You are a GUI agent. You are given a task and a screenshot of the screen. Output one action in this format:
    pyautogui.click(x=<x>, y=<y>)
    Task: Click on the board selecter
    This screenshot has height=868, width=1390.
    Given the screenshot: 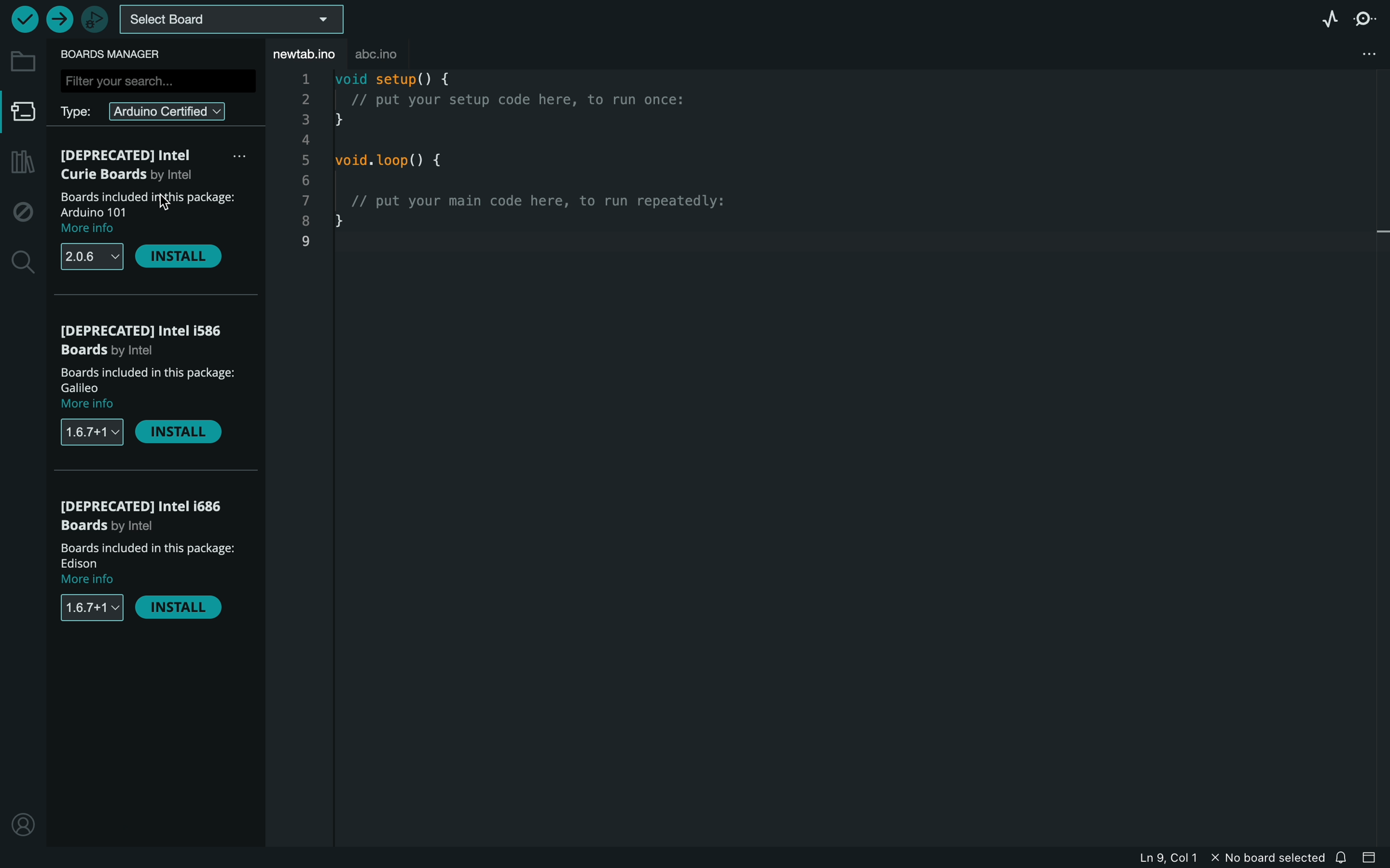 What is the action you would take?
    pyautogui.click(x=230, y=21)
    